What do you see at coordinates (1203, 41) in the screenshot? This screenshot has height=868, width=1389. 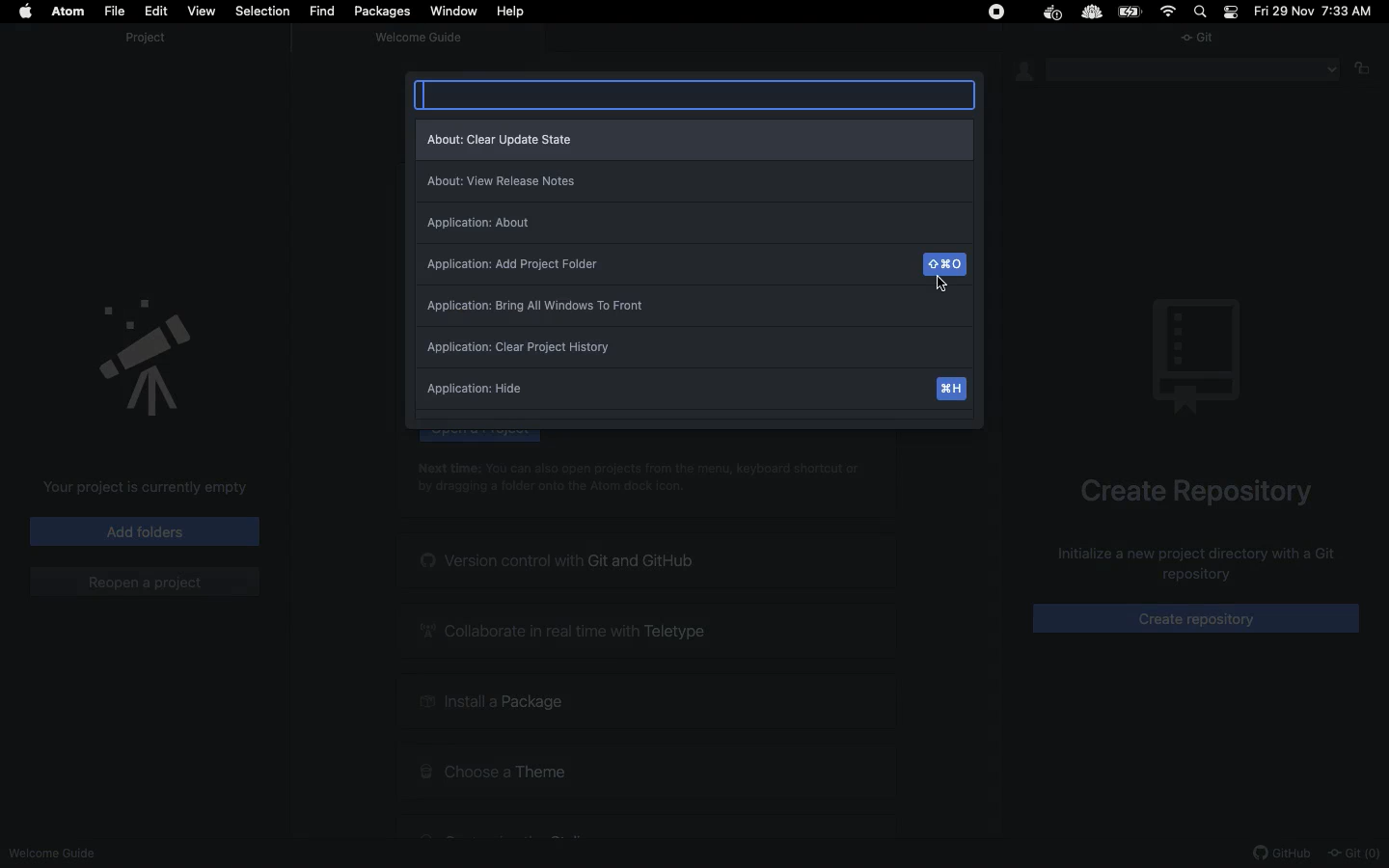 I see `Git` at bounding box center [1203, 41].